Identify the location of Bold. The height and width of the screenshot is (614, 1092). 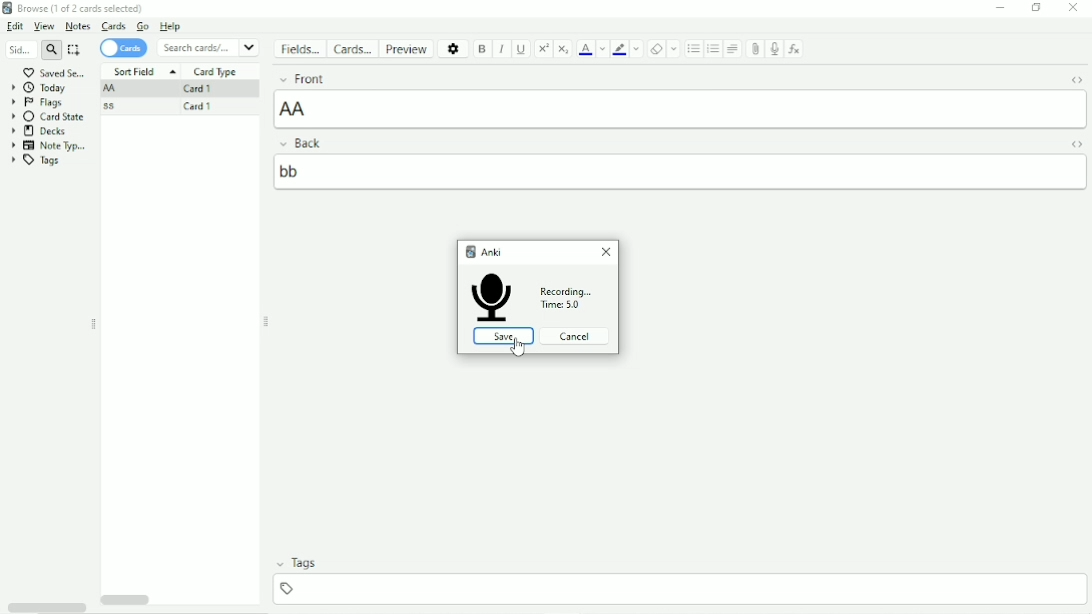
(482, 49).